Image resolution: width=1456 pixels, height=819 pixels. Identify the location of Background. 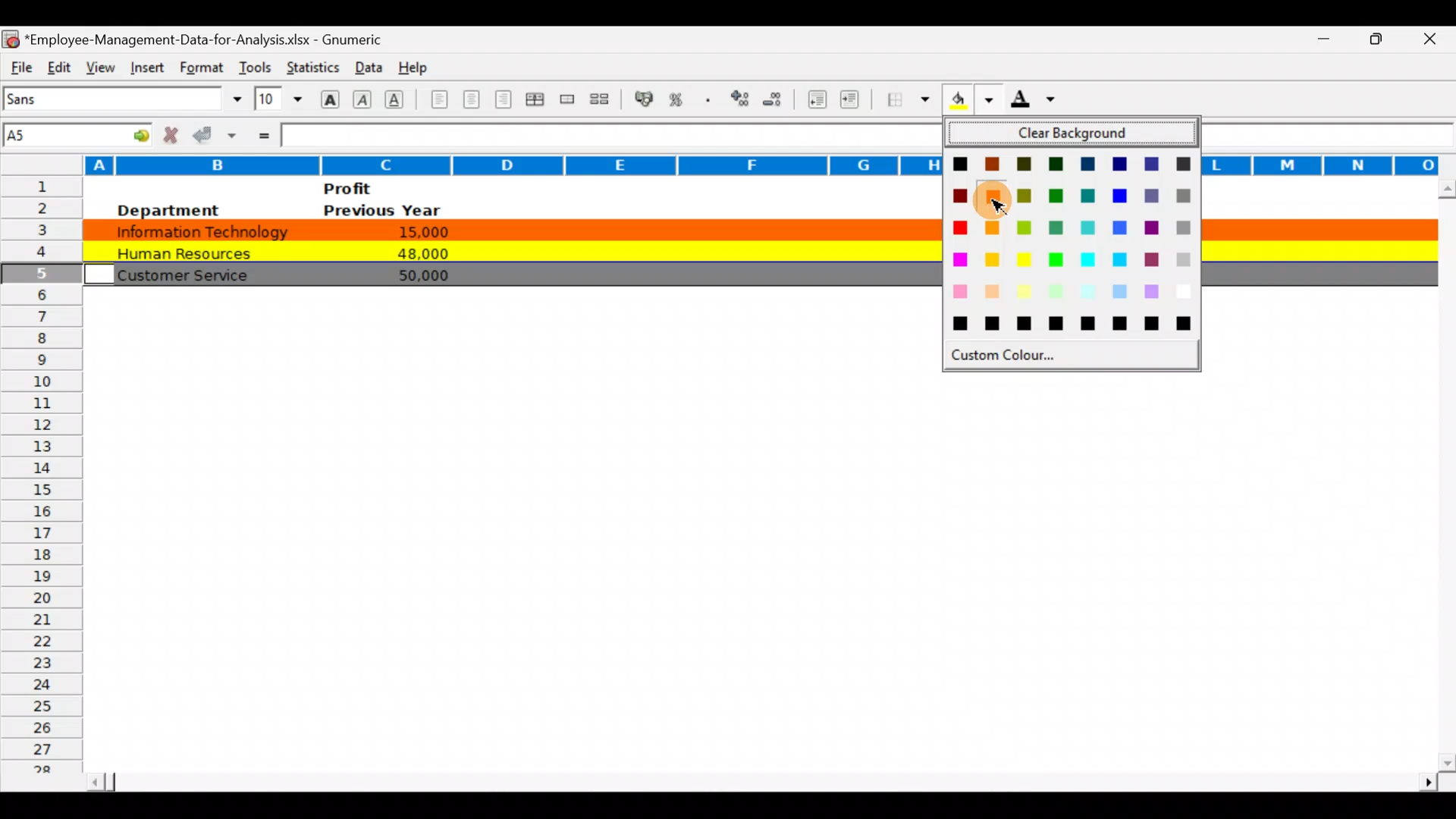
(969, 104).